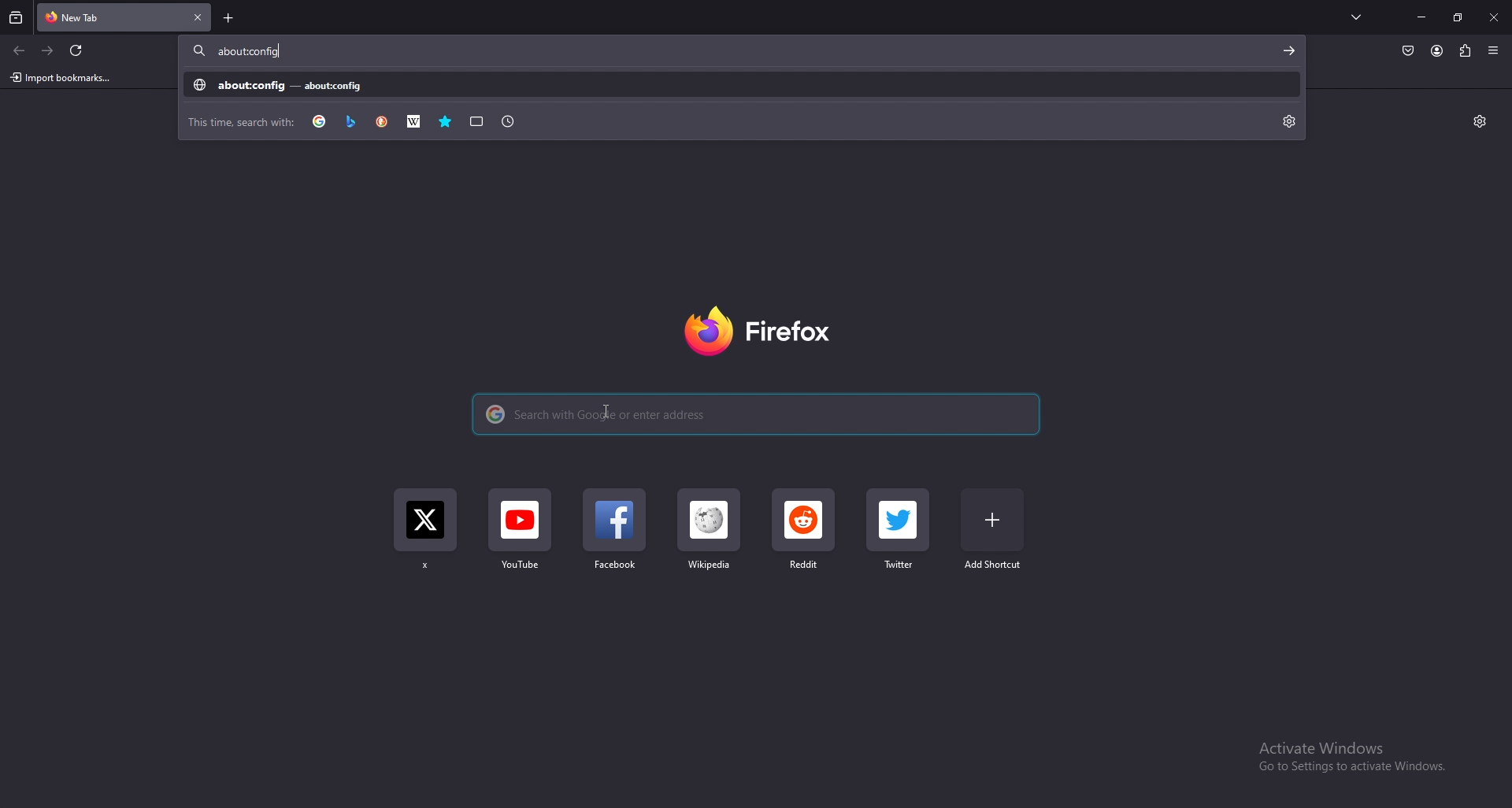 The image size is (1512, 808). Describe the element at coordinates (425, 535) in the screenshot. I see `twitter` at that location.